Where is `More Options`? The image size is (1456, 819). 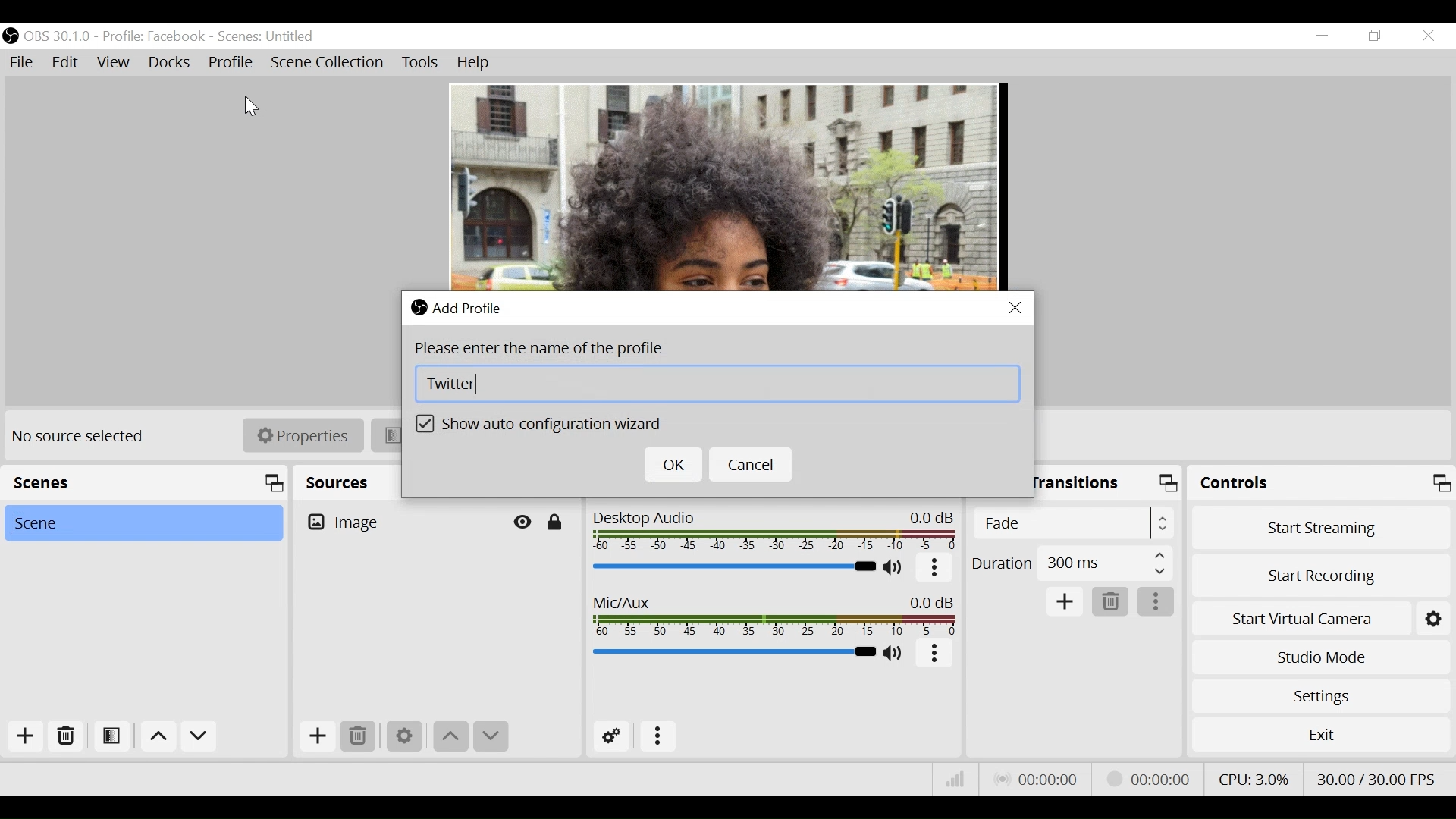
More Options is located at coordinates (936, 572).